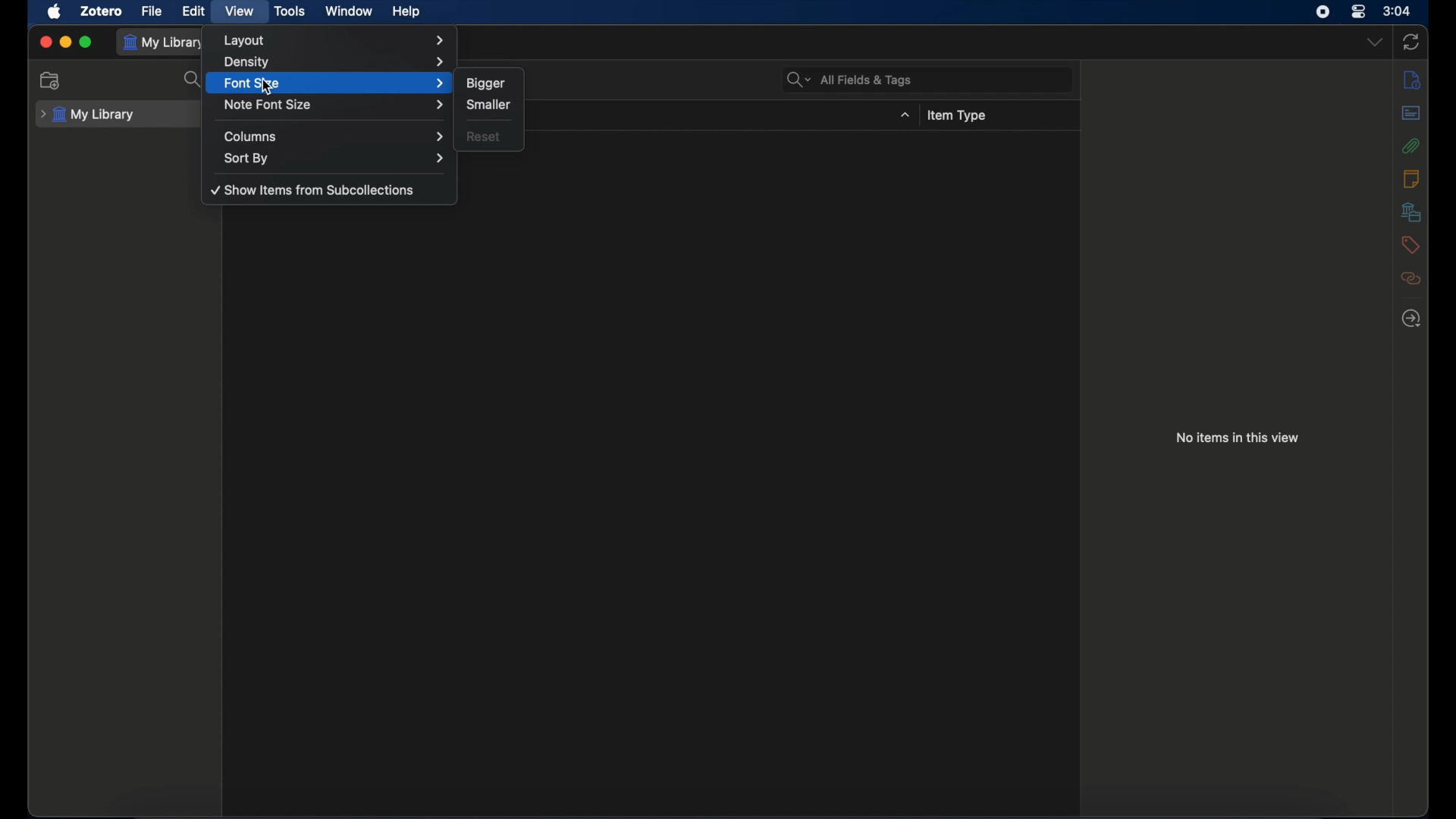  What do you see at coordinates (45, 42) in the screenshot?
I see `close` at bounding box center [45, 42].